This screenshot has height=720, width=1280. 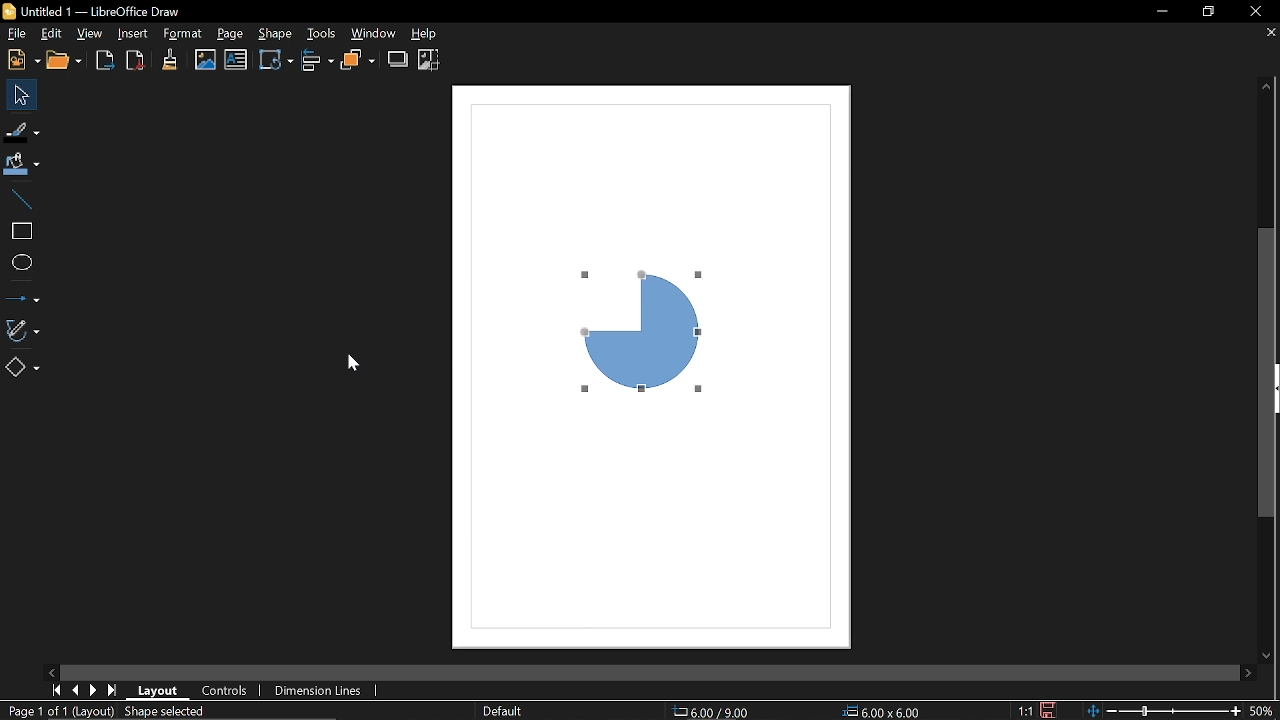 What do you see at coordinates (428, 60) in the screenshot?
I see `Crop` at bounding box center [428, 60].